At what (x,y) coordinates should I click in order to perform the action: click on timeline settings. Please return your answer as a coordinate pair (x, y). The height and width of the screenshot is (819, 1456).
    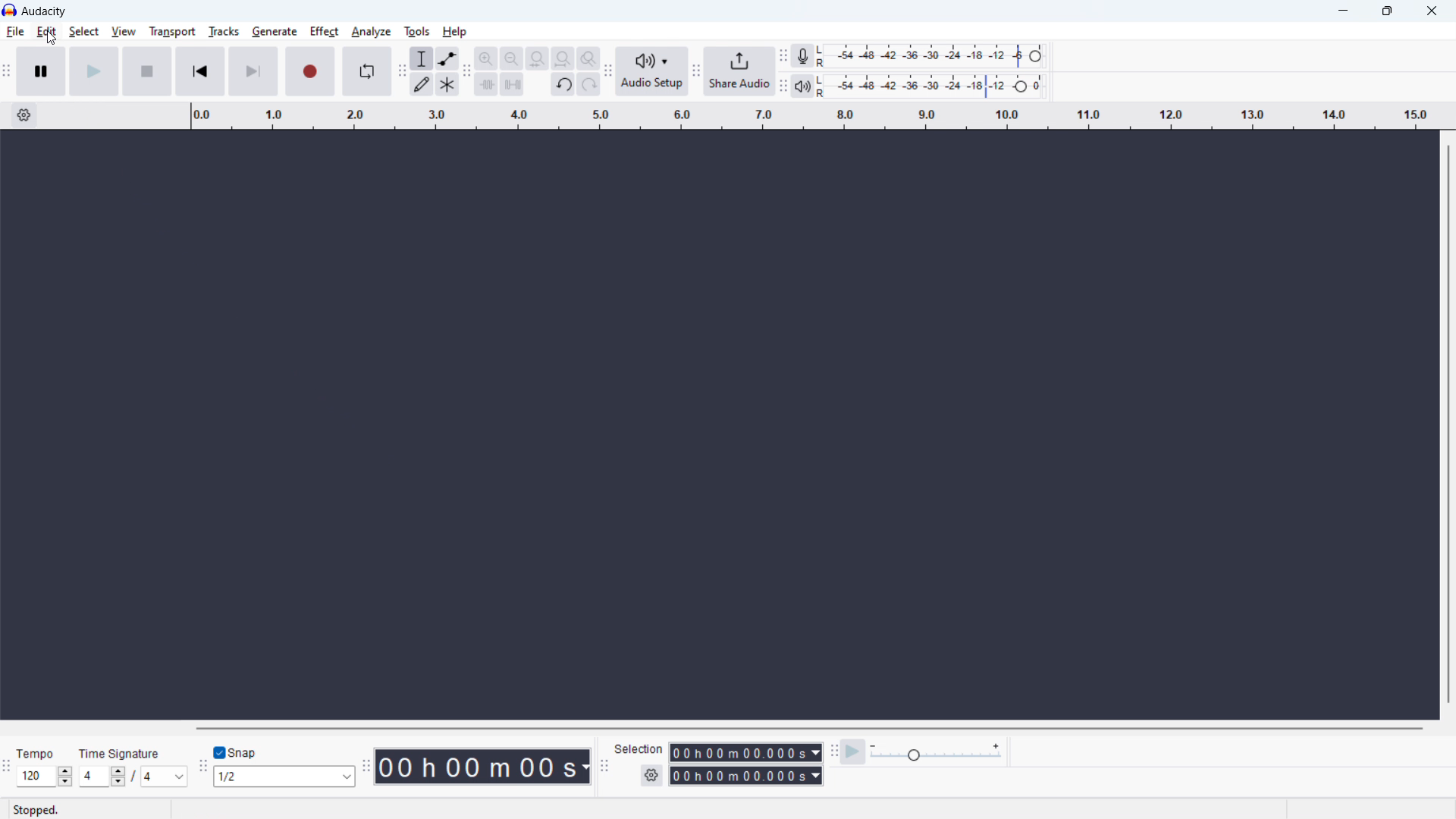
    Looking at the image, I should click on (24, 116).